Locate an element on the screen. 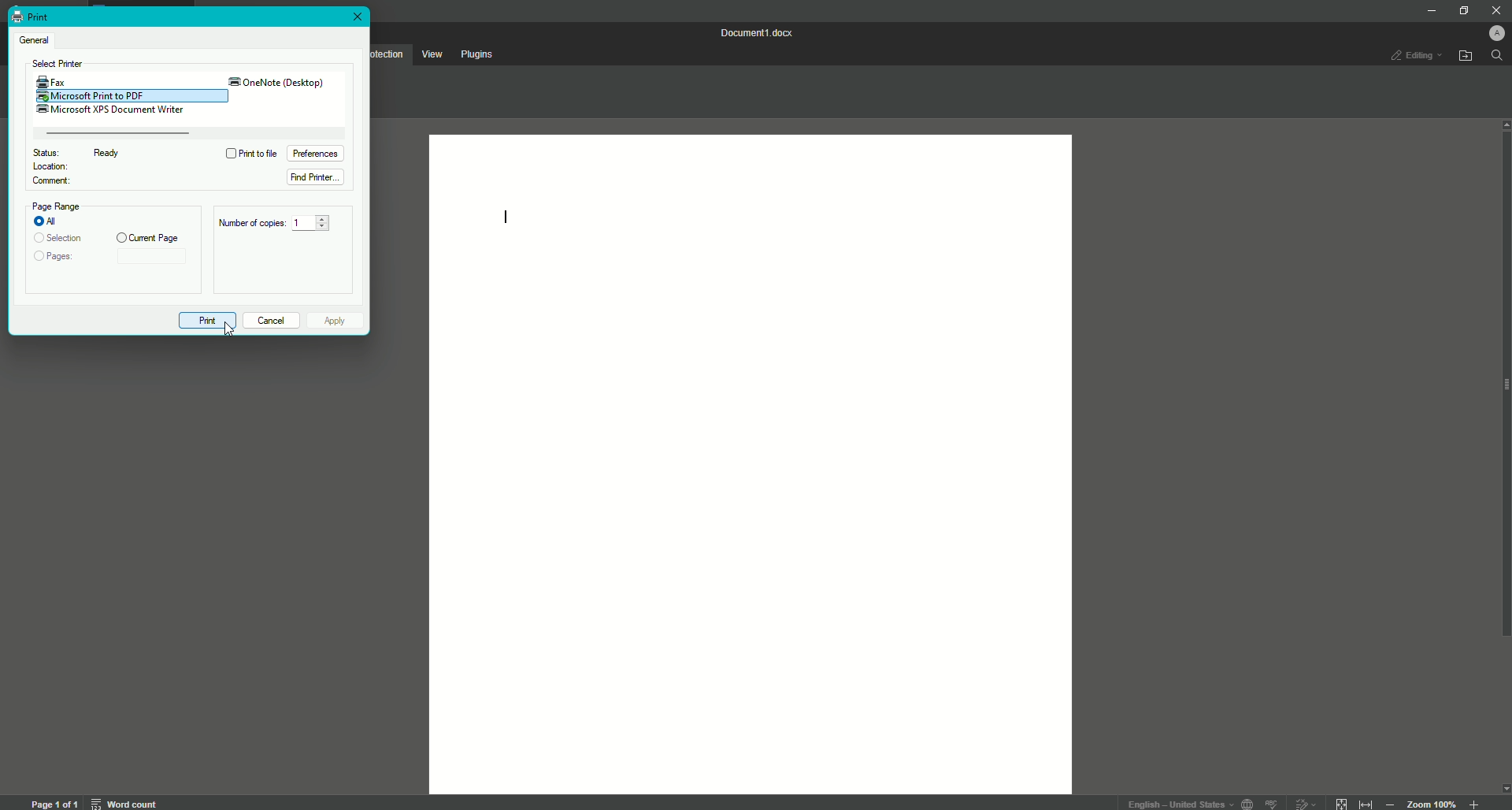 This screenshot has width=1512, height=810. Profile is located at coordinates (1490, 32).